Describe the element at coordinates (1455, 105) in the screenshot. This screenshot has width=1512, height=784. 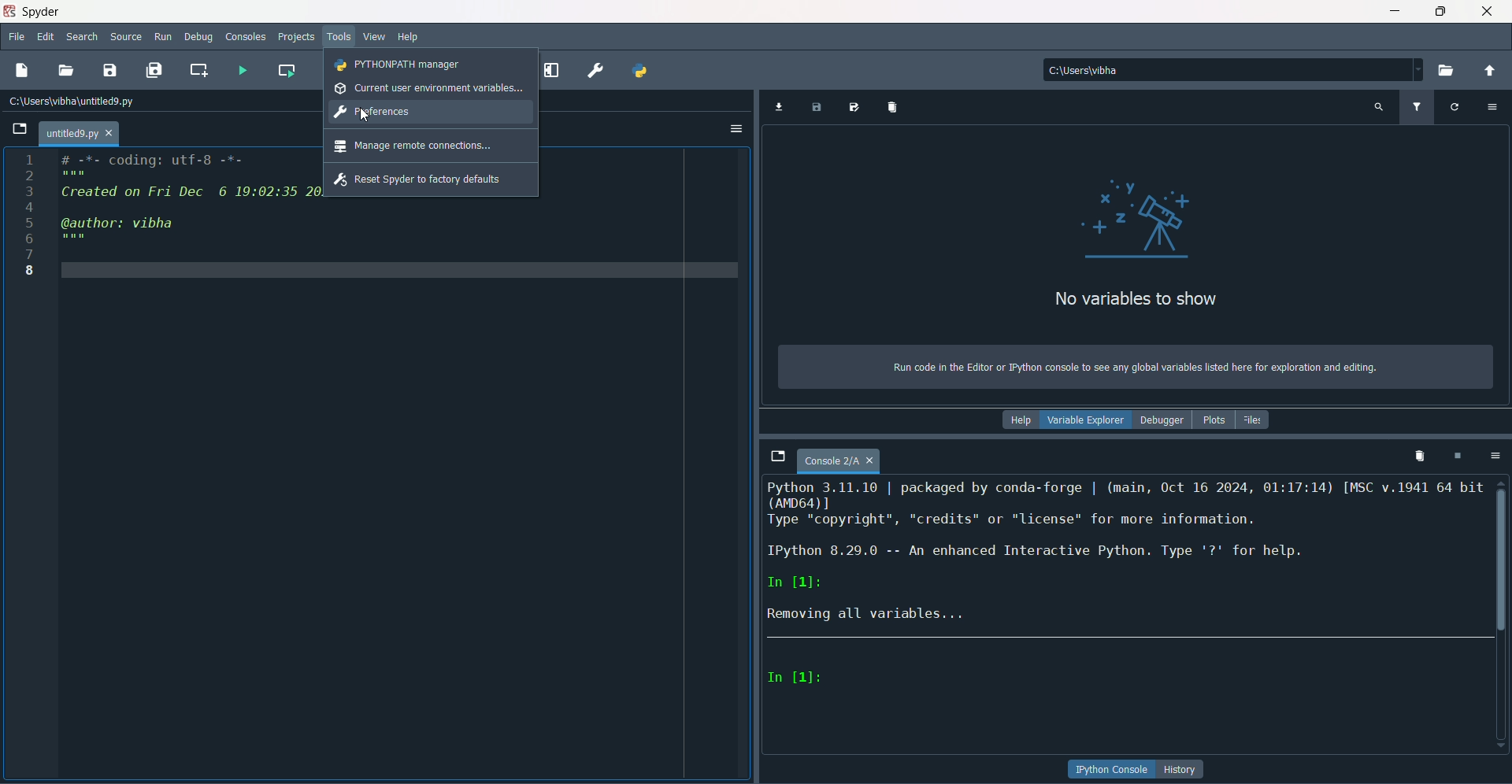
I see `refresh variable` at that location.